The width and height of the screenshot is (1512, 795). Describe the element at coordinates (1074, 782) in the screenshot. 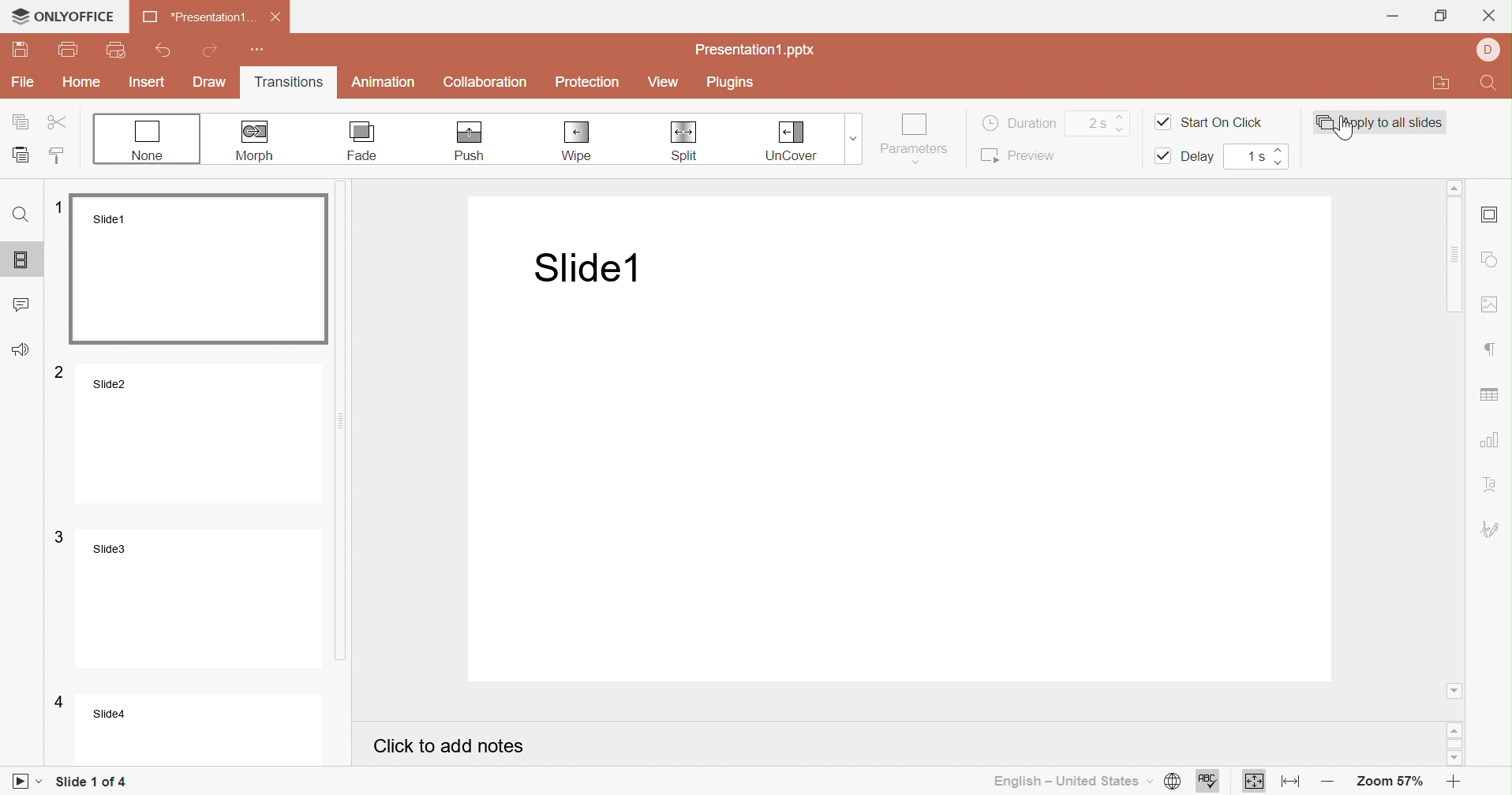

I see `English - United States` at that location.